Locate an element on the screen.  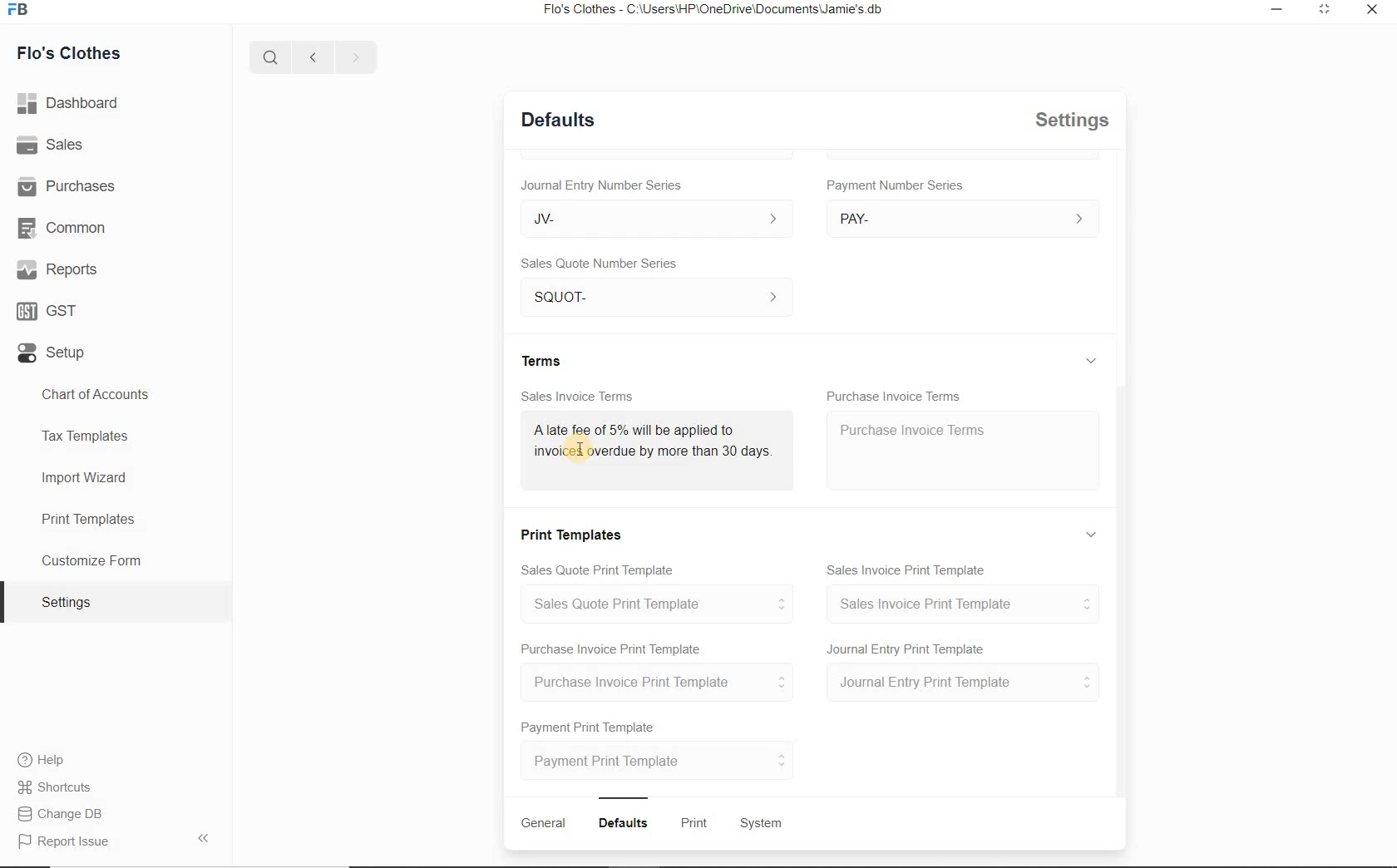
Purchase Invoice Terms is located at coordinates (895, 392).